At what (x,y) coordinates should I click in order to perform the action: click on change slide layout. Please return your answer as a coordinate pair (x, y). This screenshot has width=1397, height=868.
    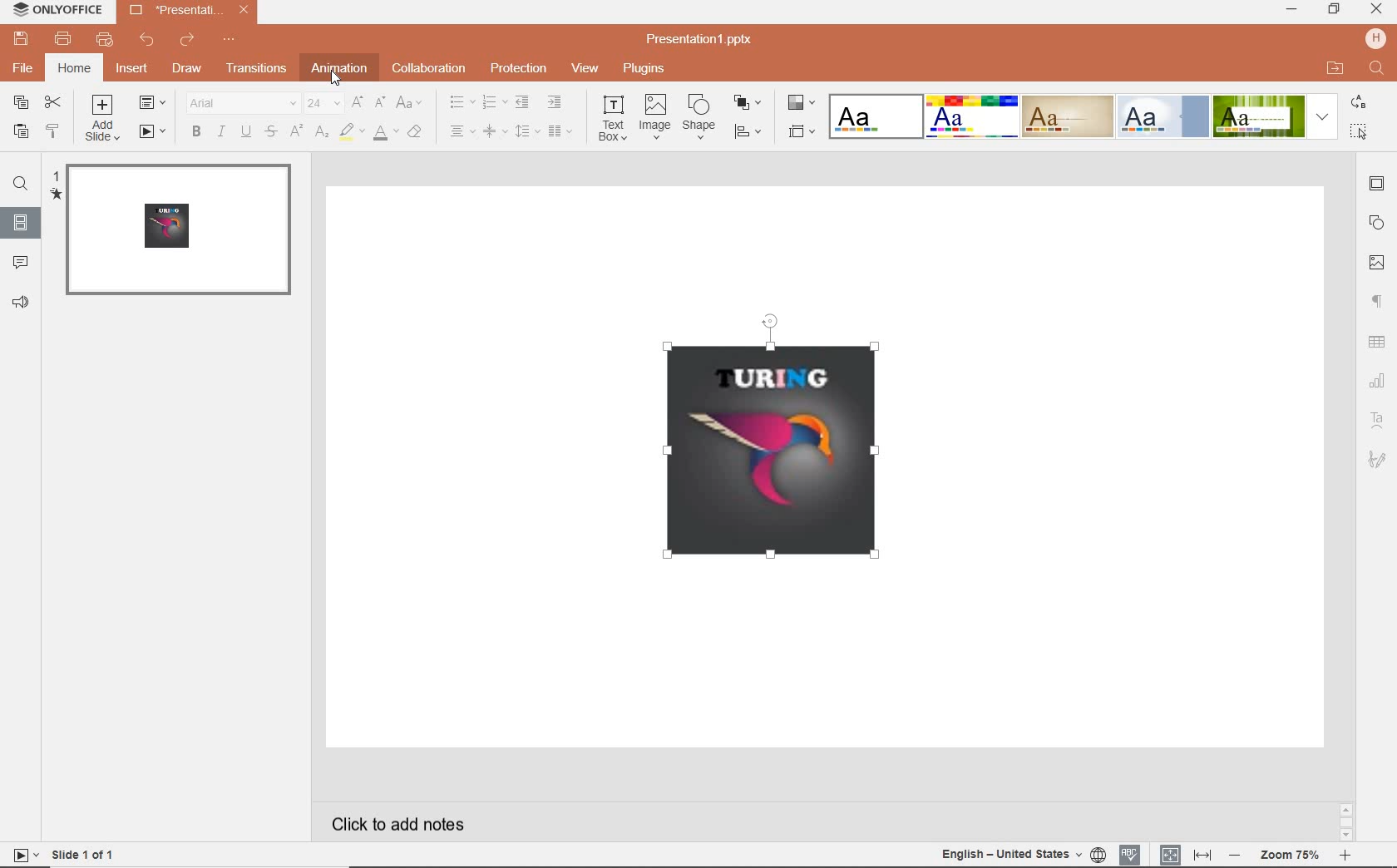
    Looking at the image, I should click on (154, 104).